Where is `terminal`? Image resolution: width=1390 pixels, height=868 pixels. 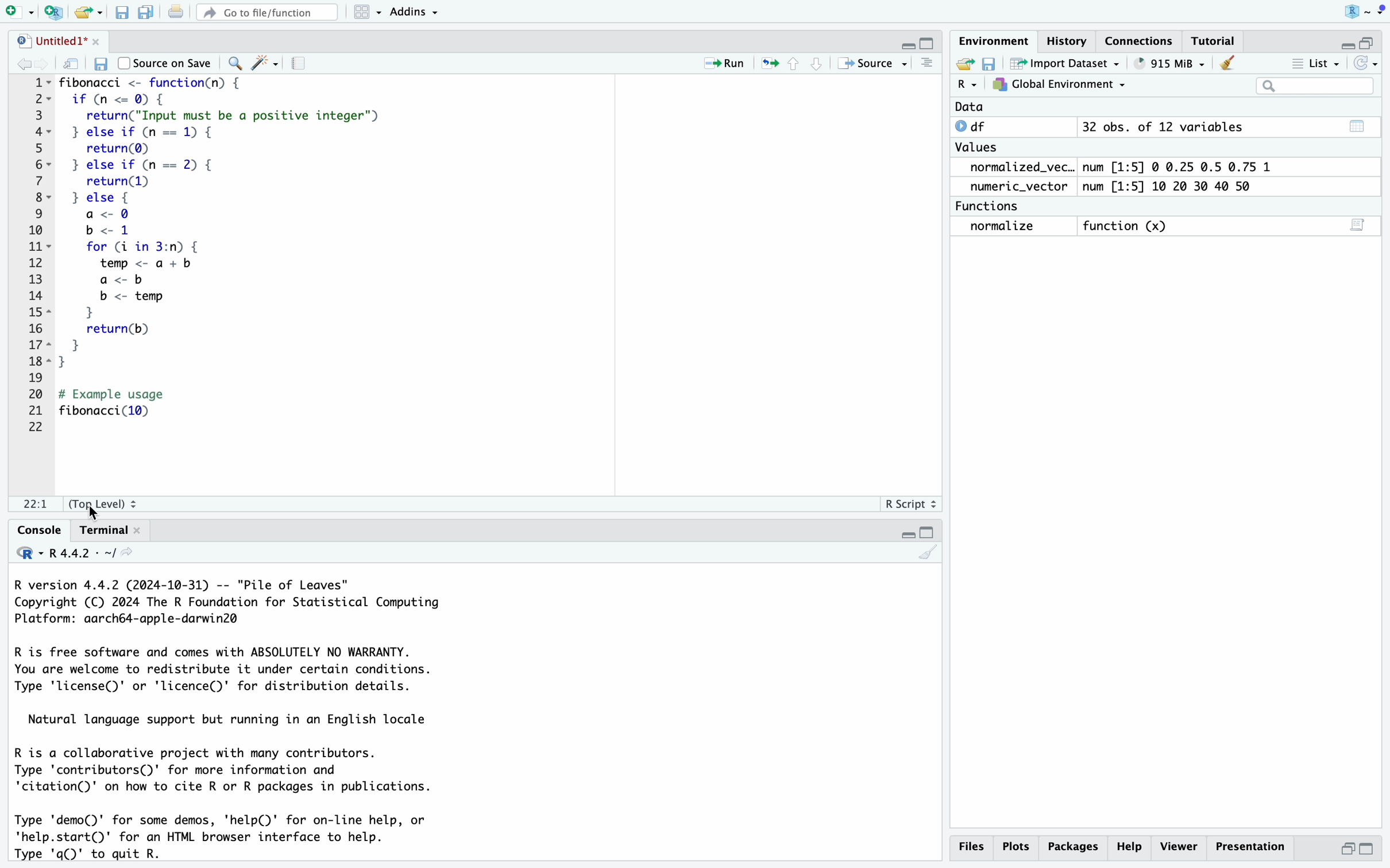 terminal is located at coordinates (113, 529).